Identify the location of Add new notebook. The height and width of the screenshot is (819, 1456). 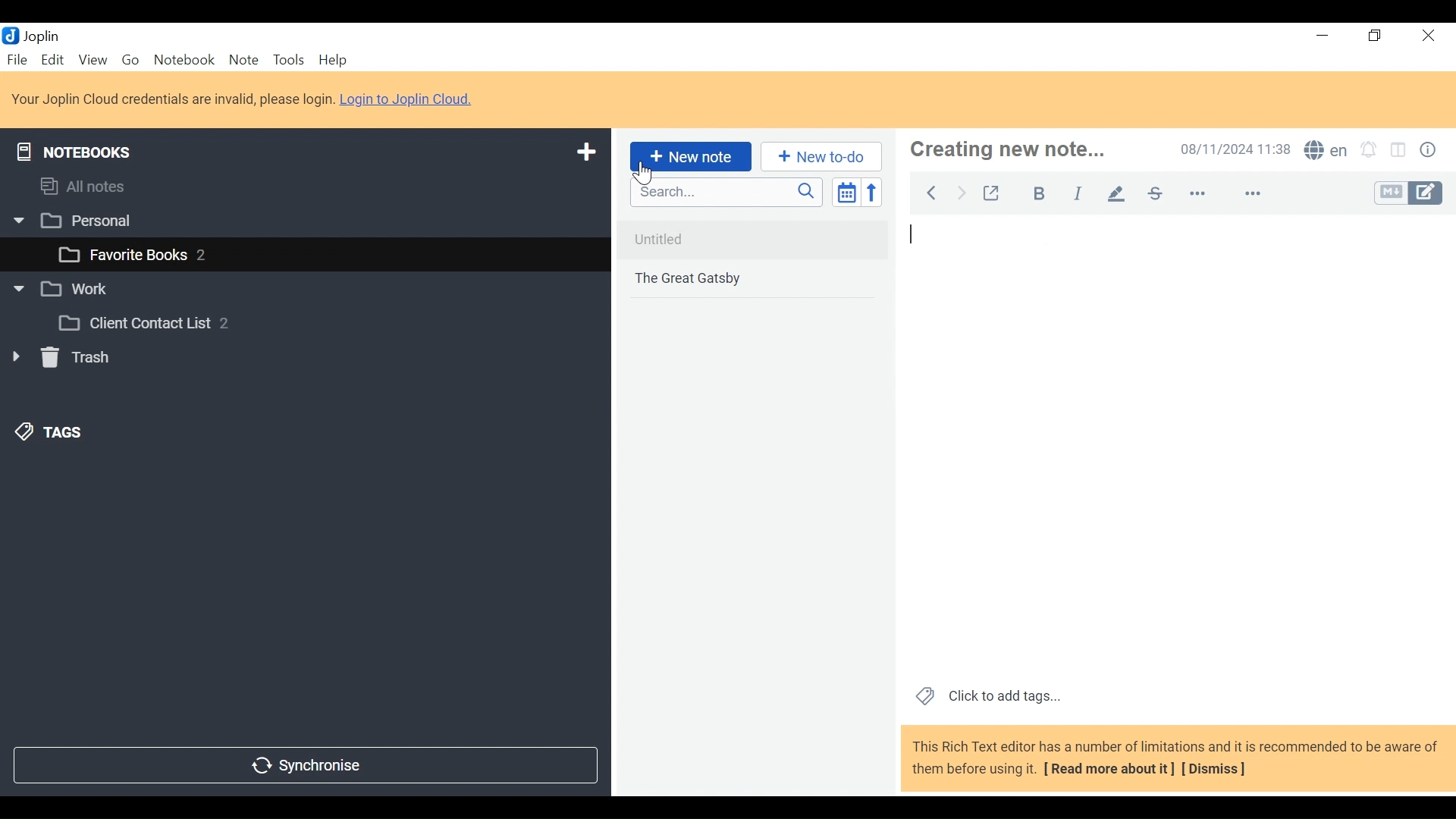
(586, 154).